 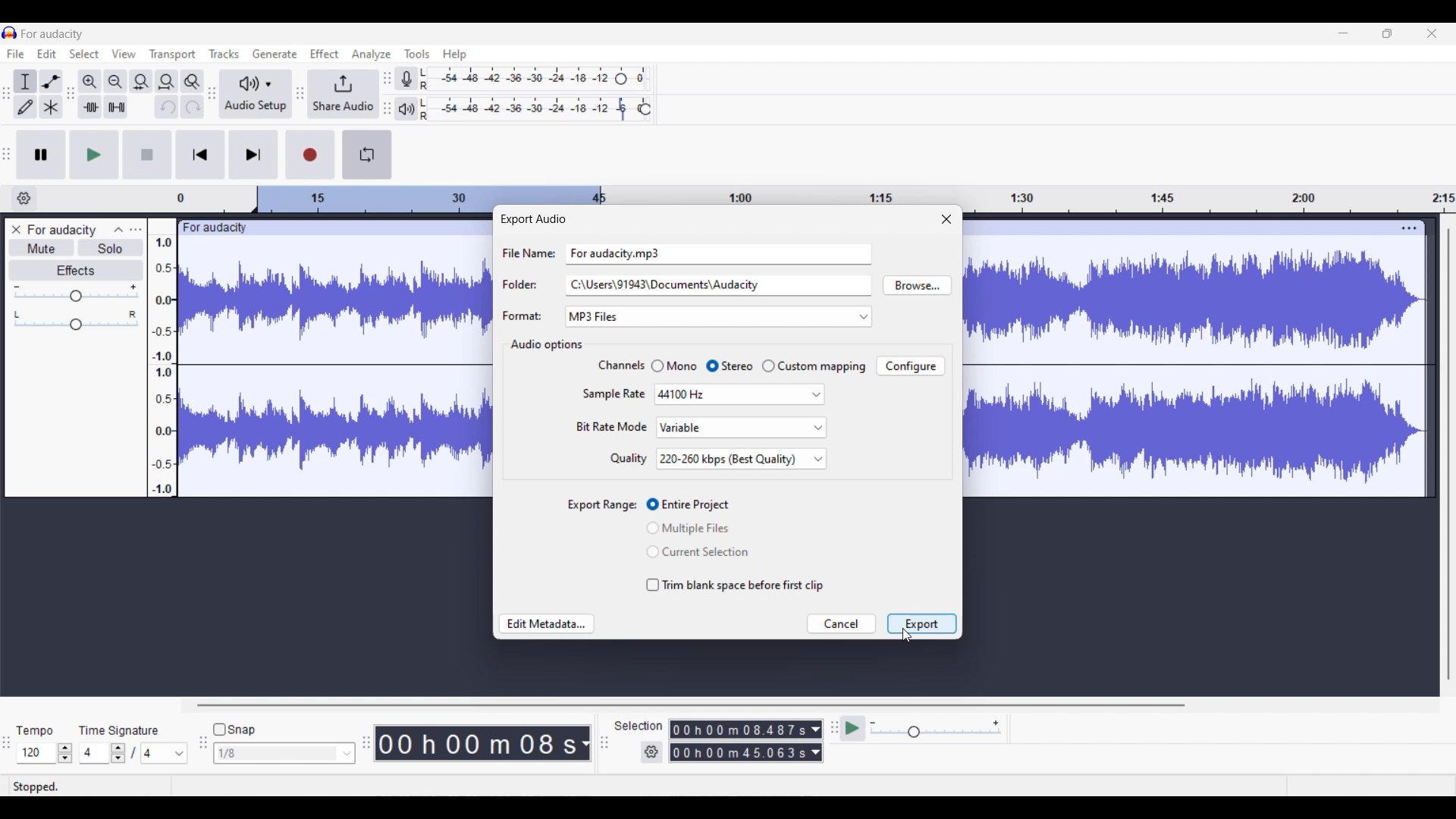 What do you see at coordinates (17, 229) in the screenshot?
I see `Close track` at bounding box center [17, 229].